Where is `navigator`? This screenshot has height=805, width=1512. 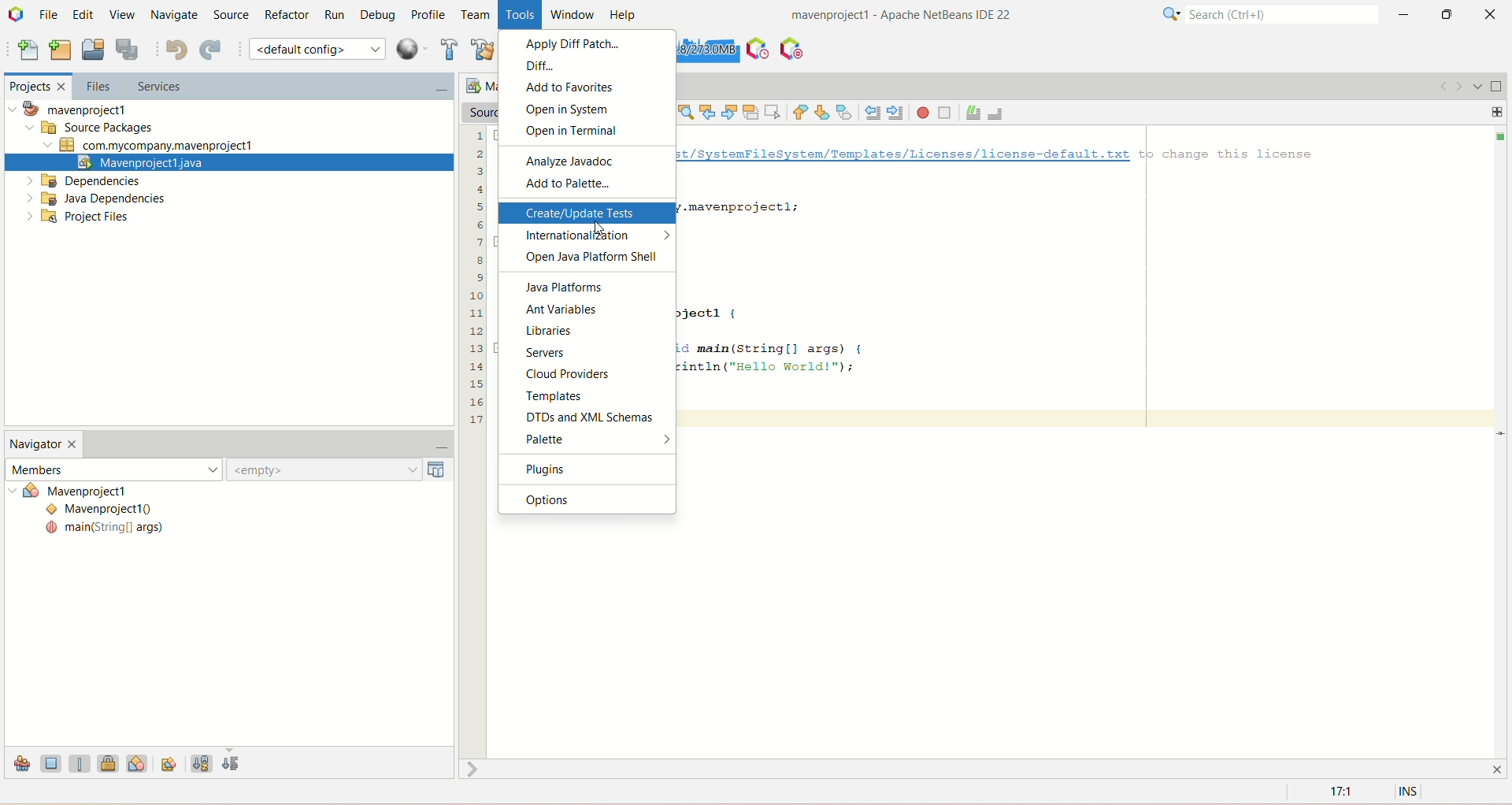 navigator is located at coordinates (44, 446).